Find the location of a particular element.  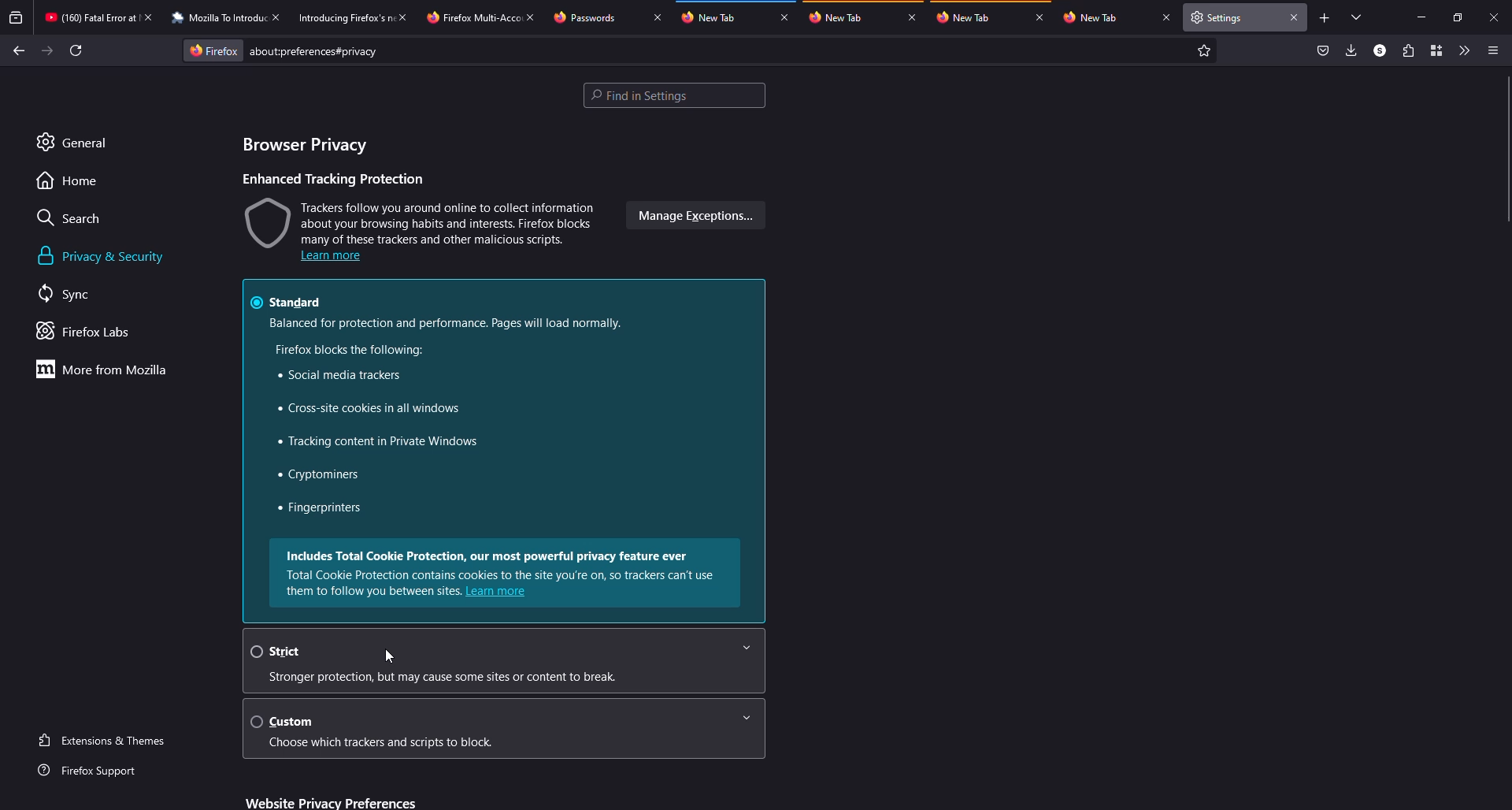

strict is located at coordinates (289, 652).